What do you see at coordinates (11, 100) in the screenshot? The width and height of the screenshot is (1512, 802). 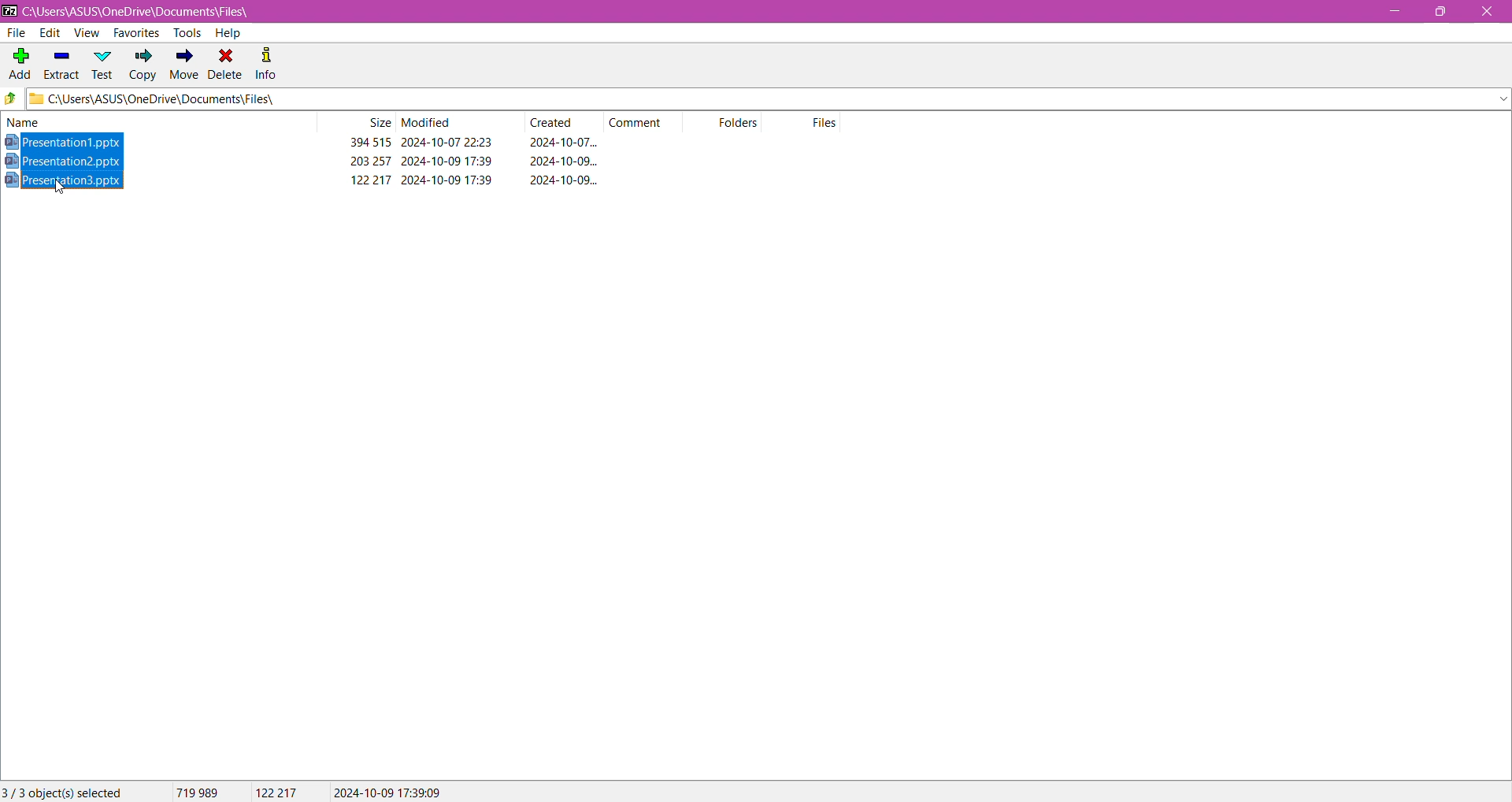 I see `Move back one step` at bounding box center [11, 100].